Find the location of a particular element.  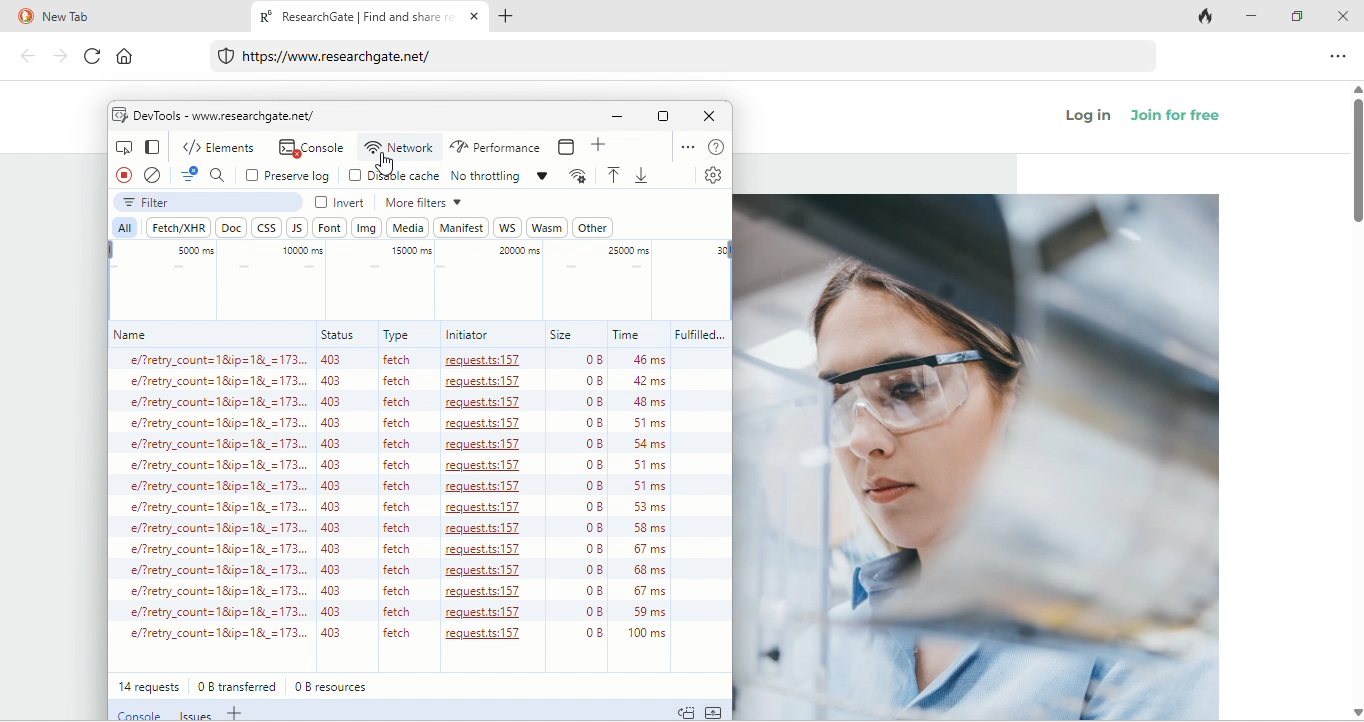

disable cache checkbox is located at coordinates (393, 175).